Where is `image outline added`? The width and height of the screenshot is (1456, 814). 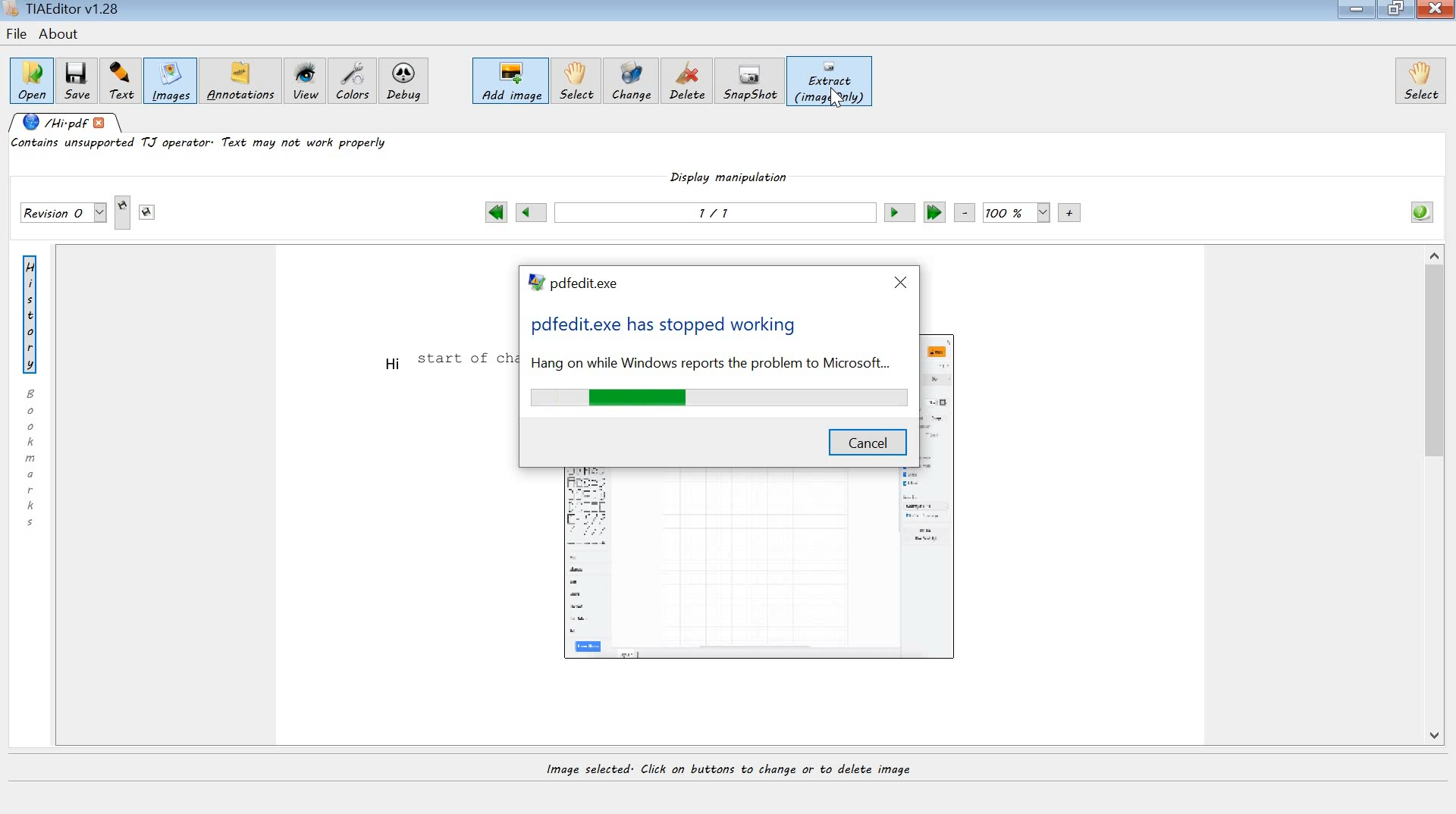 image outline added is located at coordinates (765, 568).